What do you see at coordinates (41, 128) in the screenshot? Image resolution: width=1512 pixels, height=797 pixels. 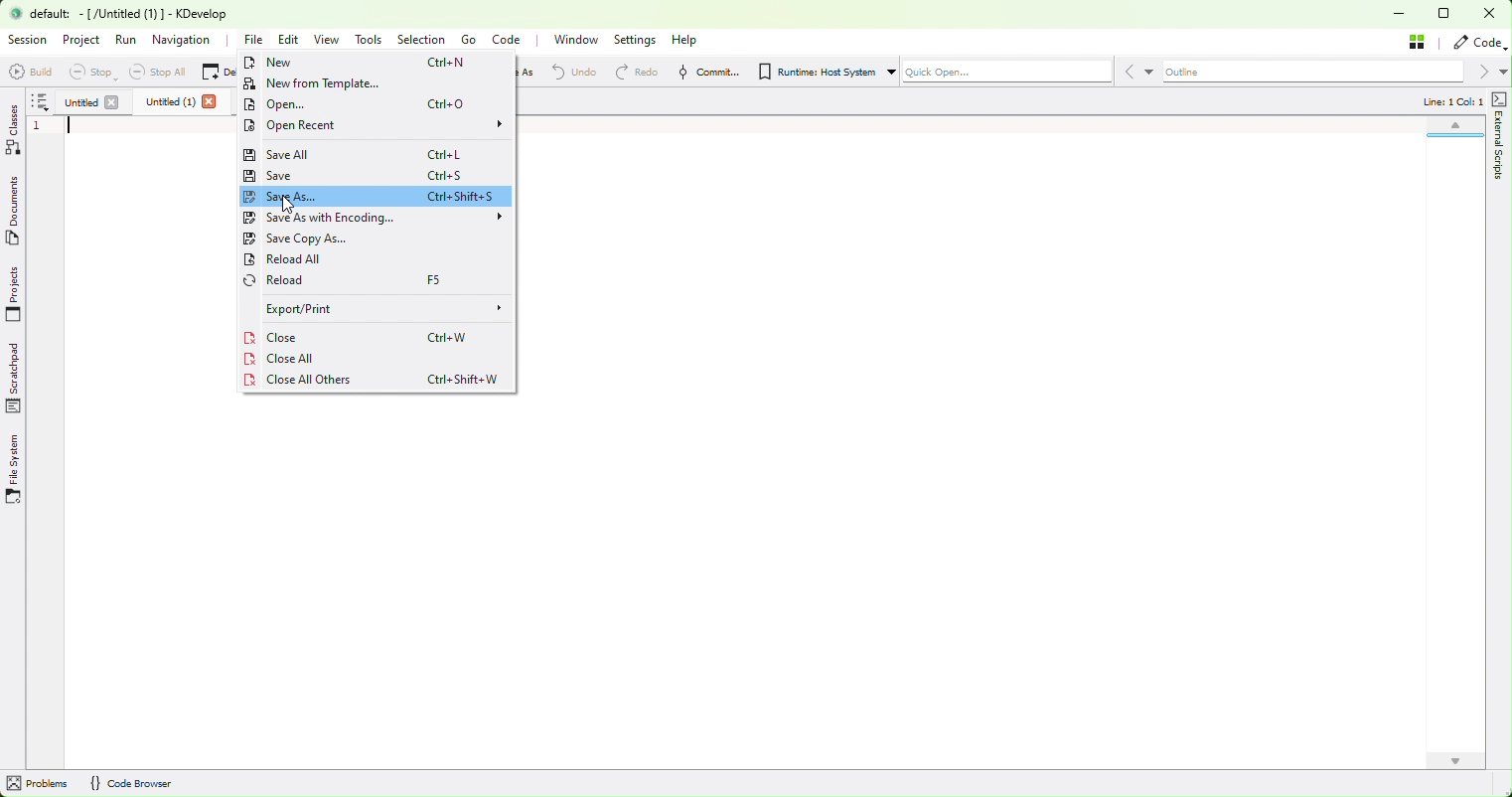 I see `line number` at bounding box center [41, 128].